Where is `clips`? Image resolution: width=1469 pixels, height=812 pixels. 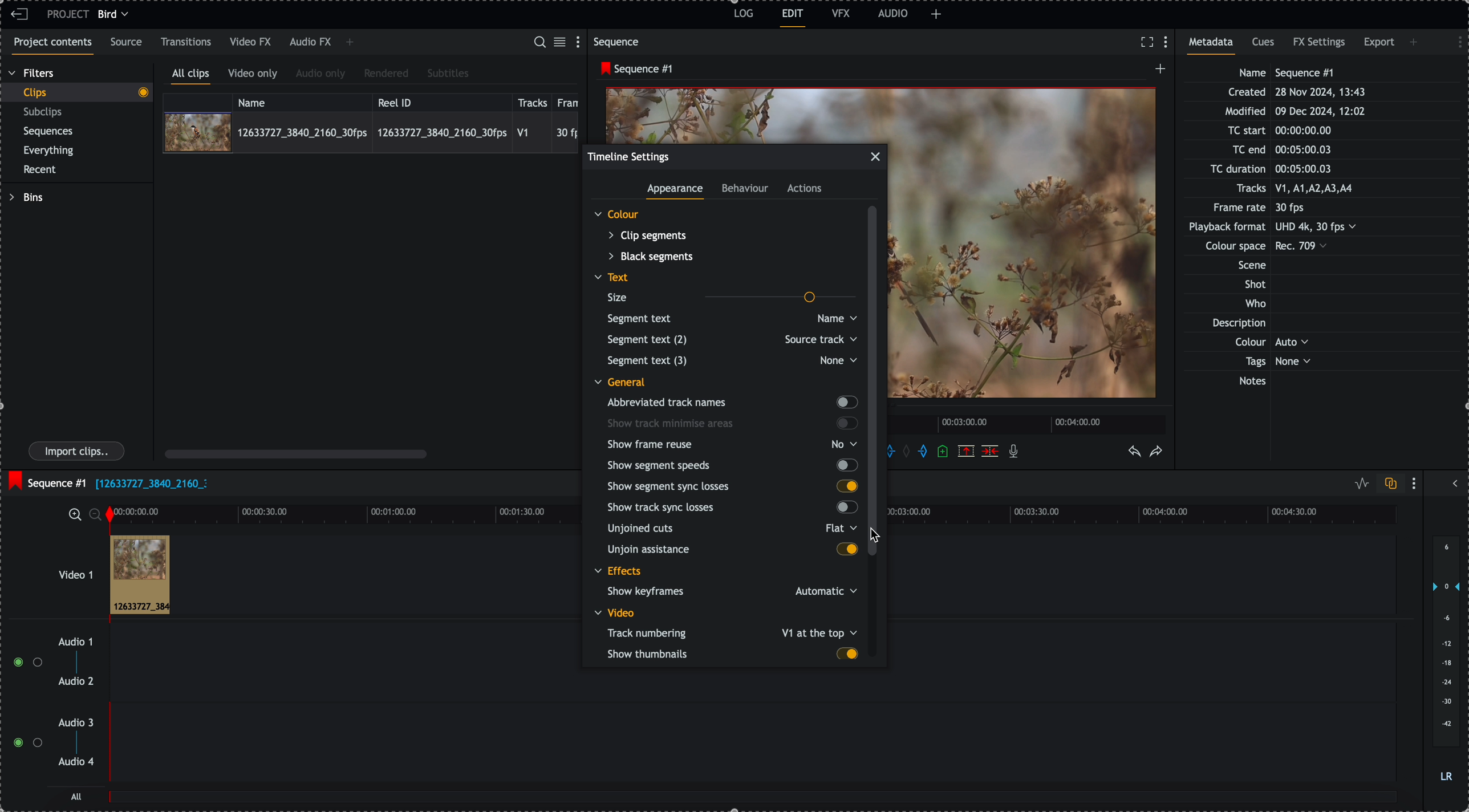 clips is located at coordinates (76, 93).